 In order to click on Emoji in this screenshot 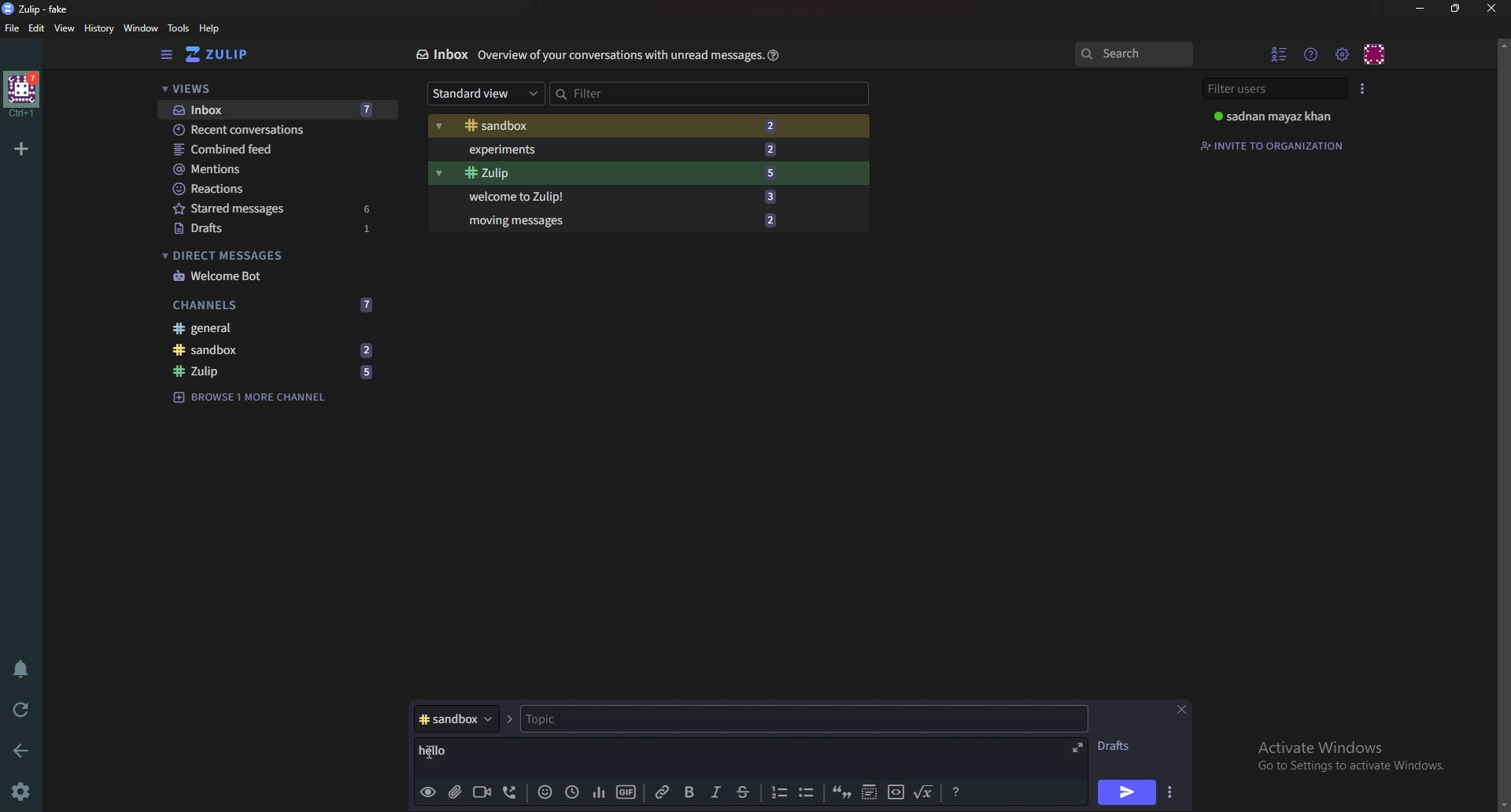, I will do `click(545, 792)`.